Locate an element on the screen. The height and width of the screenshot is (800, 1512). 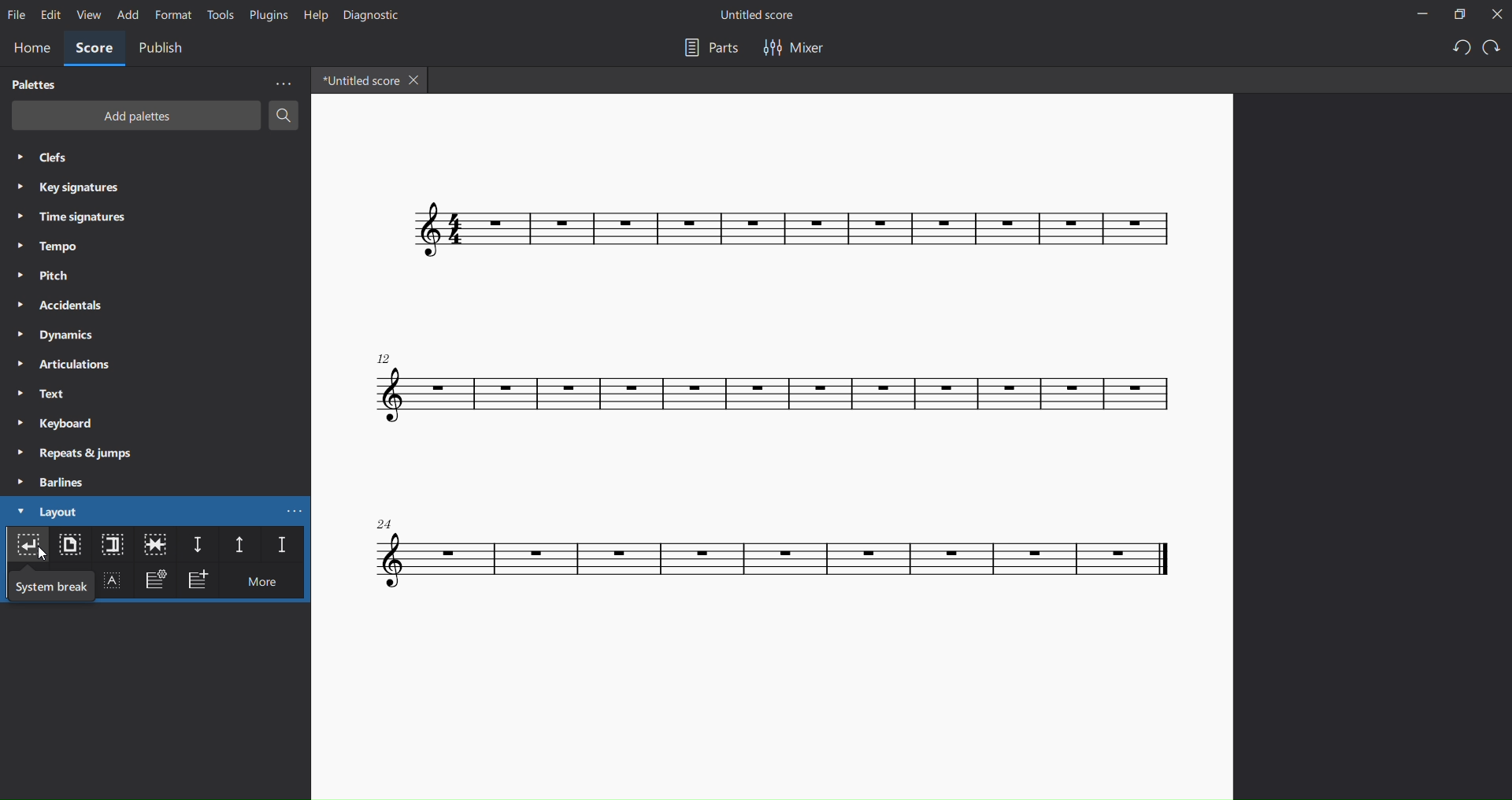
undo is located at coordinates (1455, 49).